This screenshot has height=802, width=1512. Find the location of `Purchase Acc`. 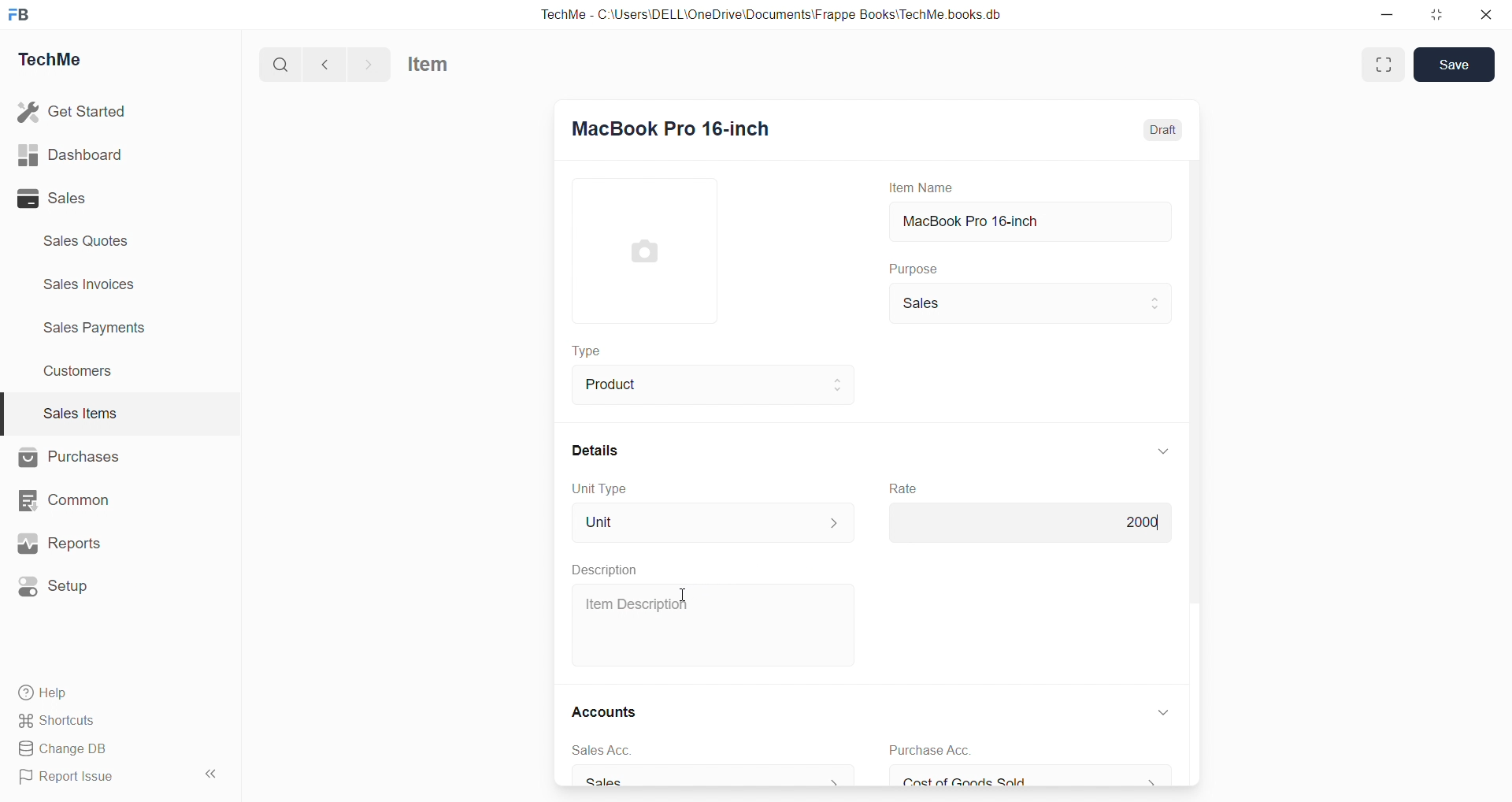

Purchase Acc is located at coordinates (930, 751).